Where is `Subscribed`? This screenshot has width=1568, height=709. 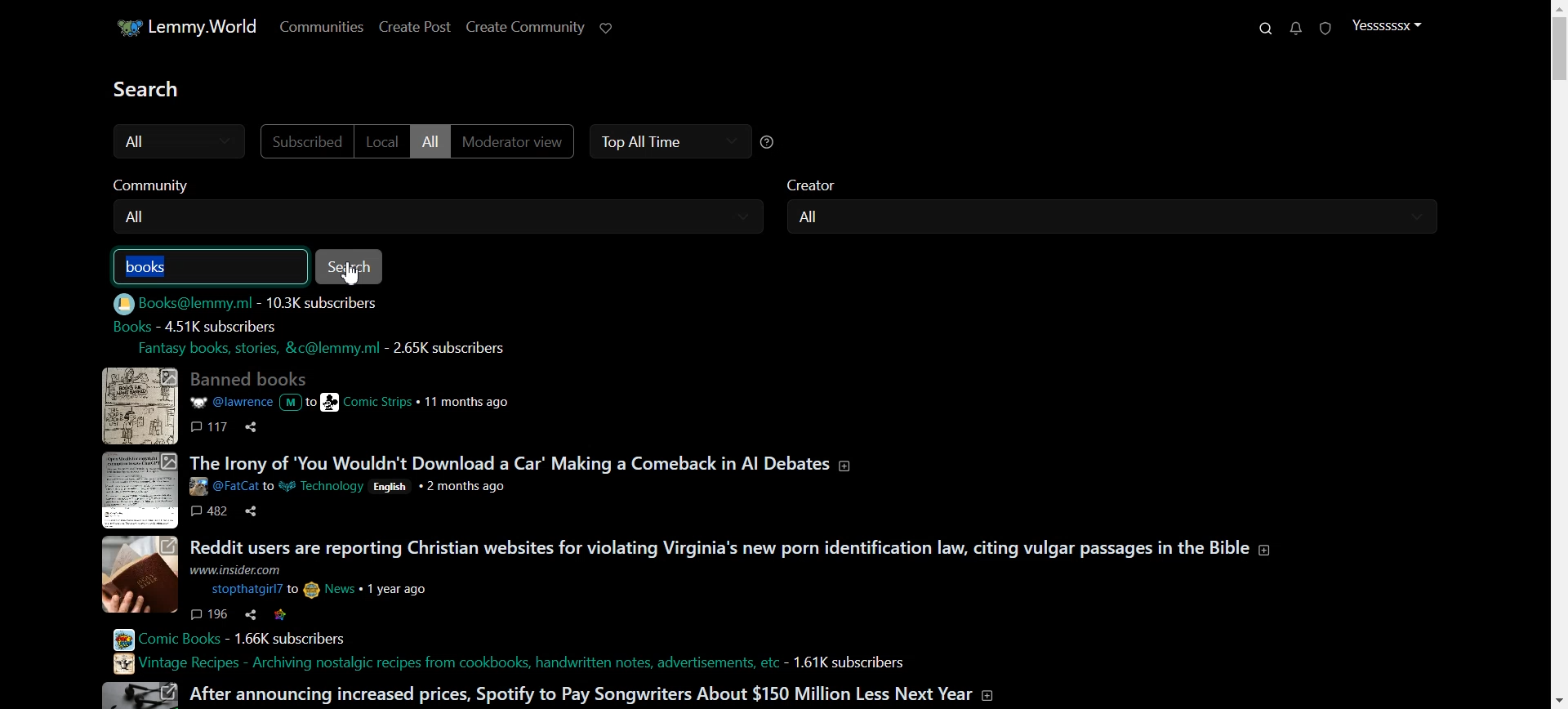 Subscribed is located at coordinates (312, 142).